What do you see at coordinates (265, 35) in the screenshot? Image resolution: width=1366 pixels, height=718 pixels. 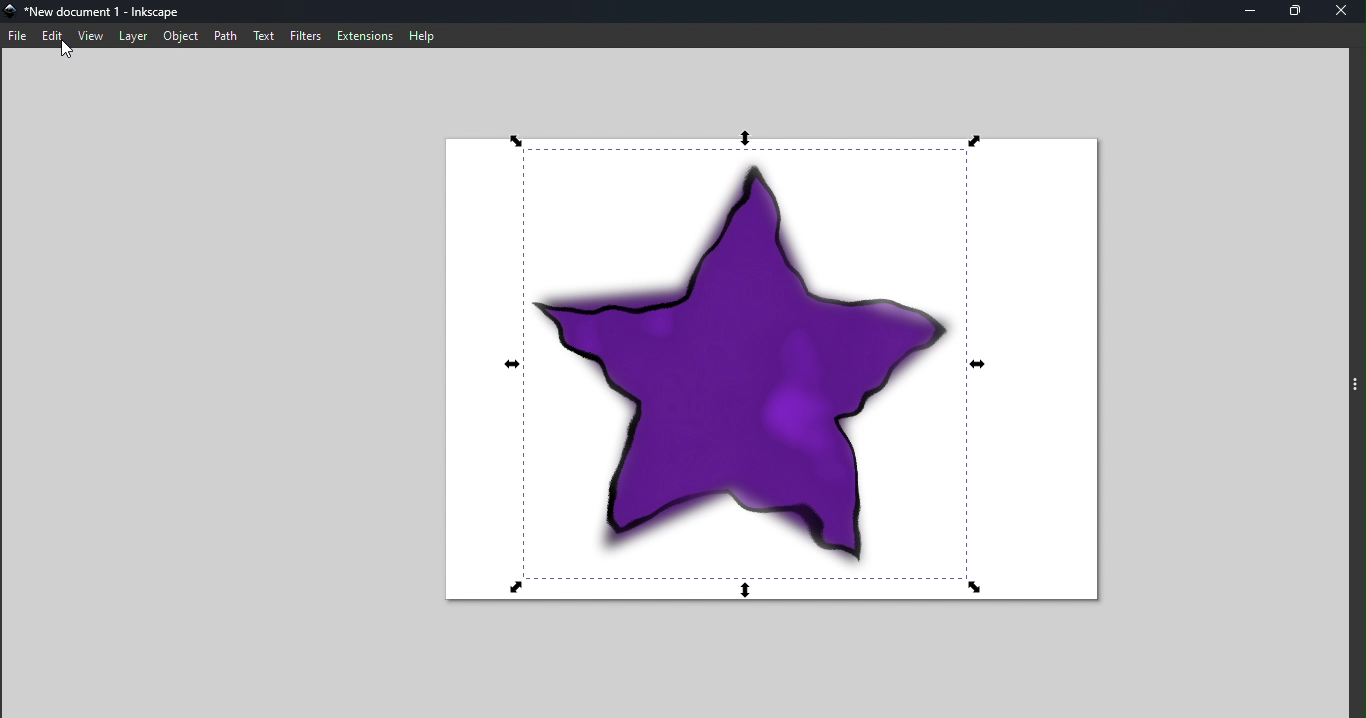 I see `Text` at bounding box center [265, 35].